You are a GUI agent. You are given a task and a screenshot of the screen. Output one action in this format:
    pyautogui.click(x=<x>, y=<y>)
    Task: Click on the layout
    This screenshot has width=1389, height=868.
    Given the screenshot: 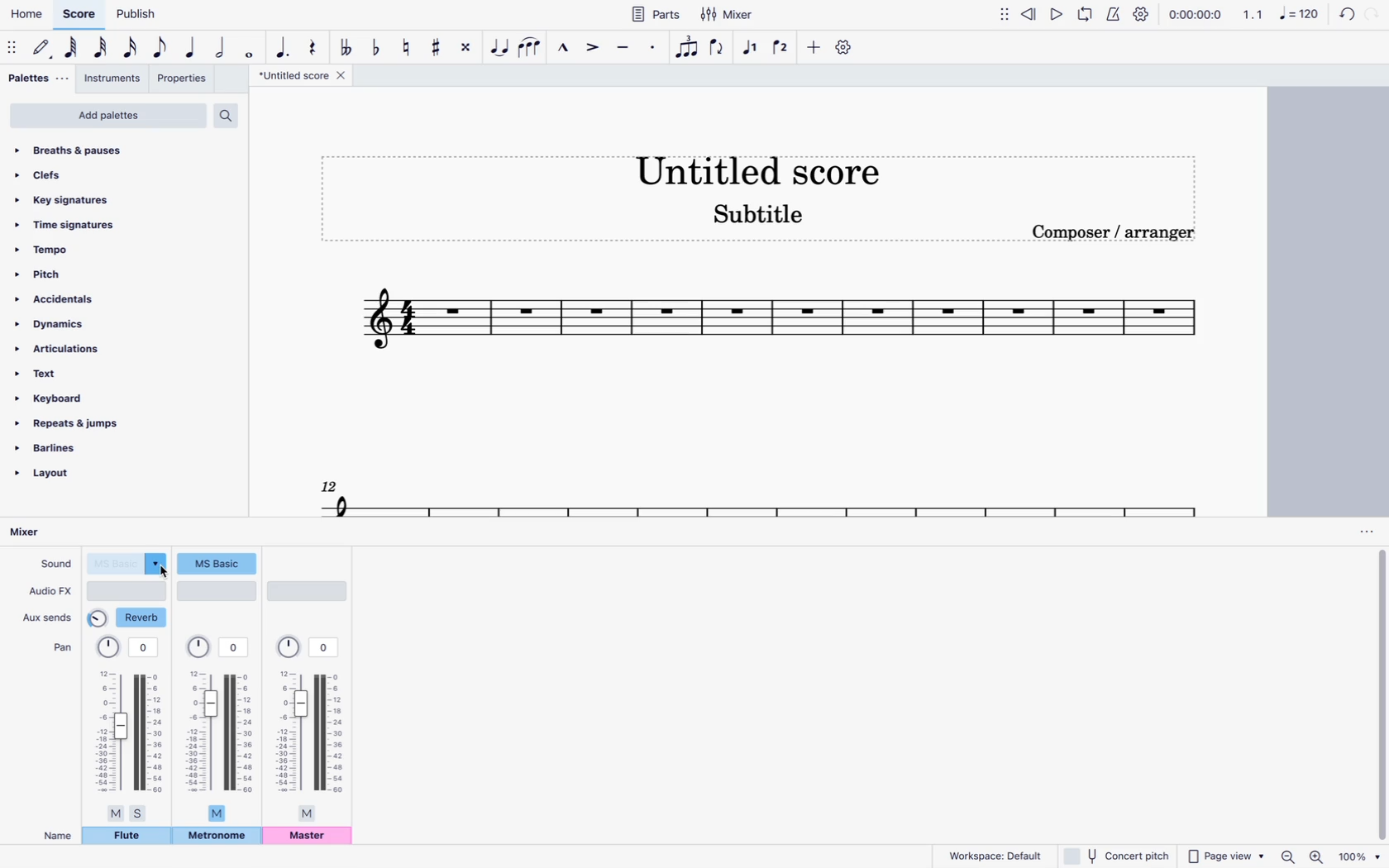 What is the action you would take?
    pyautogui.click(x=63, y=479)
    